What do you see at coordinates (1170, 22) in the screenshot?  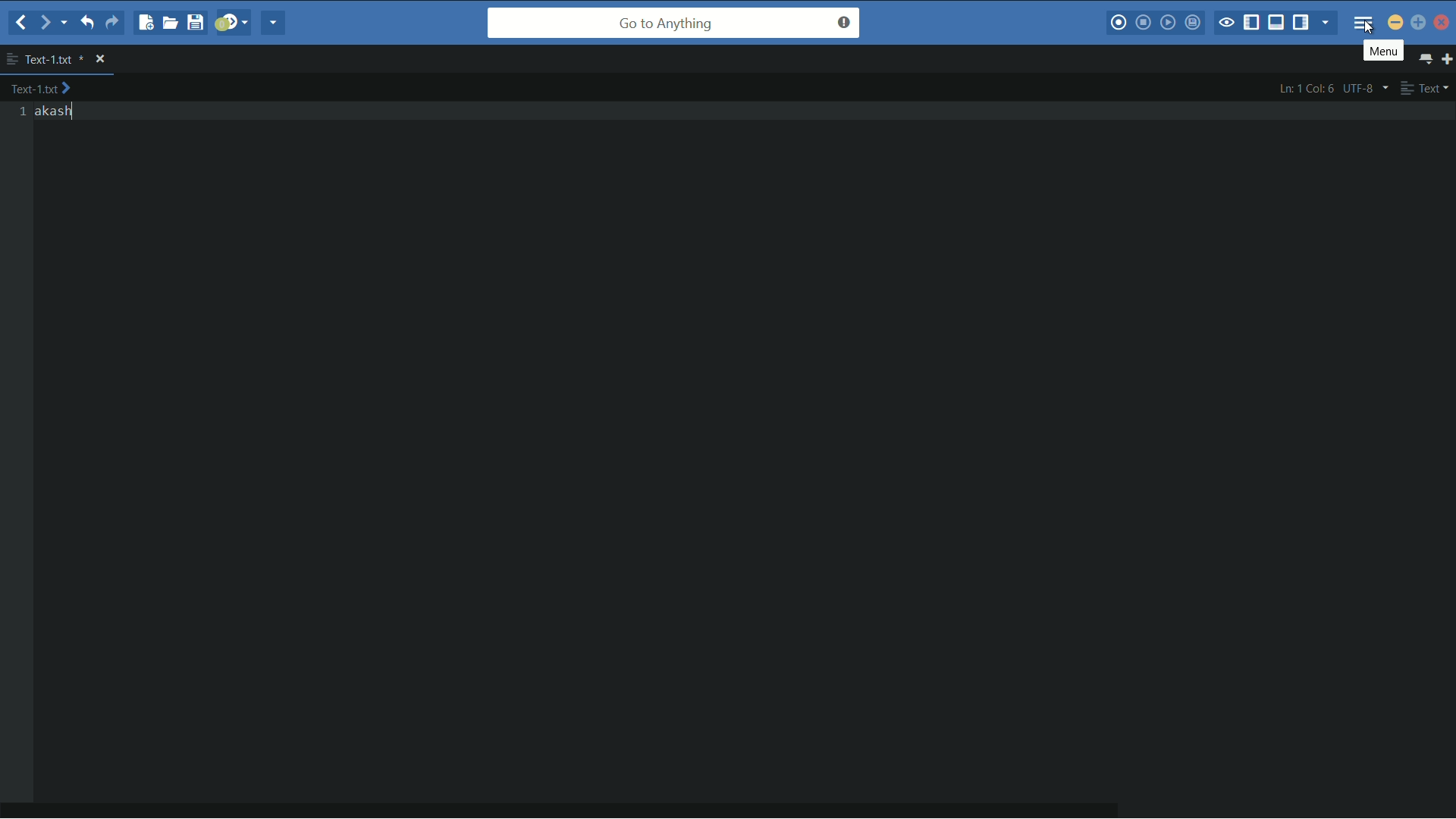 I see `play last macro` at bounding box center [1170, 22].